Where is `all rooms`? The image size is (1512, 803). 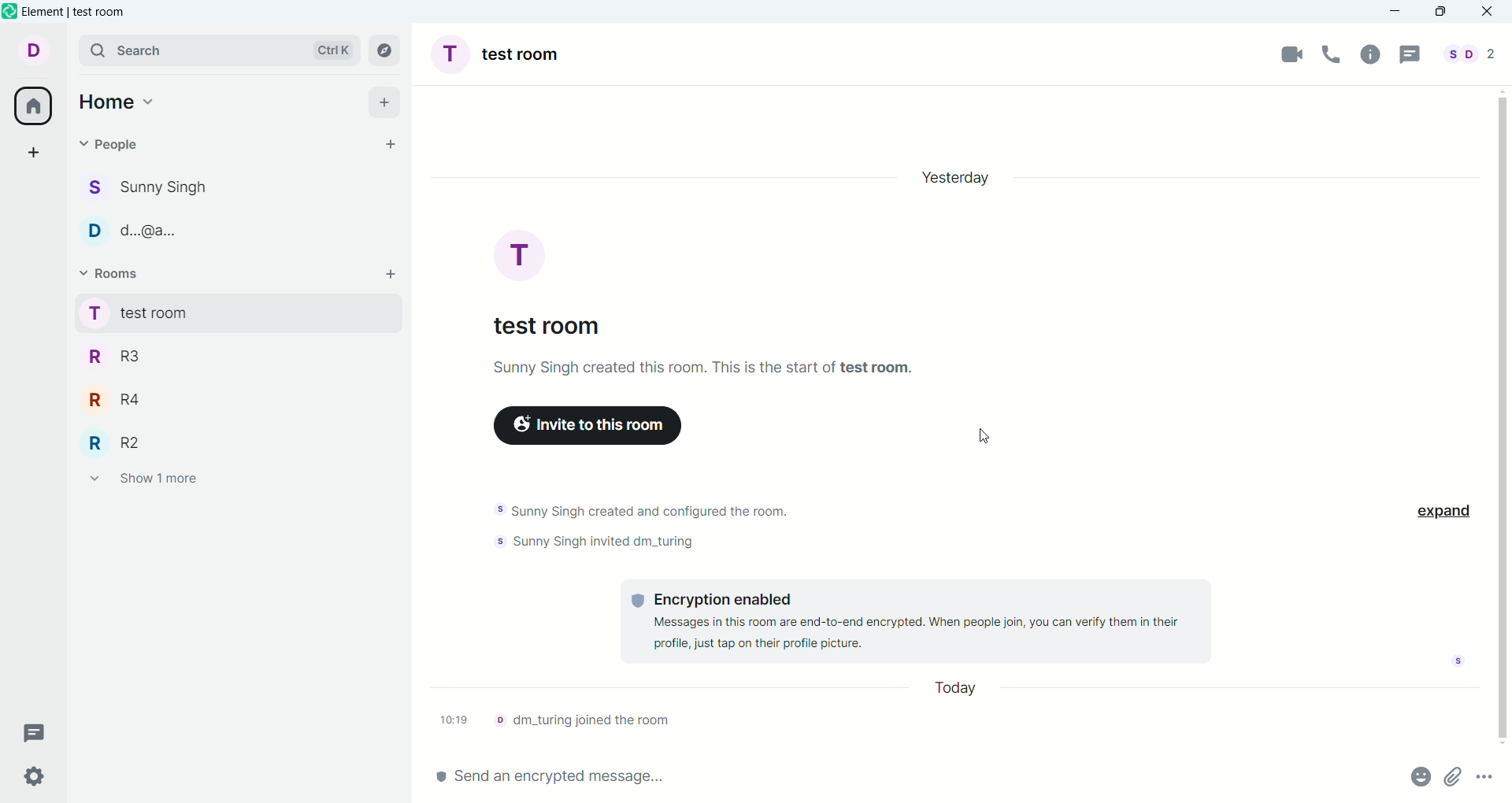 all rooms is located at coordinates (35, 106).